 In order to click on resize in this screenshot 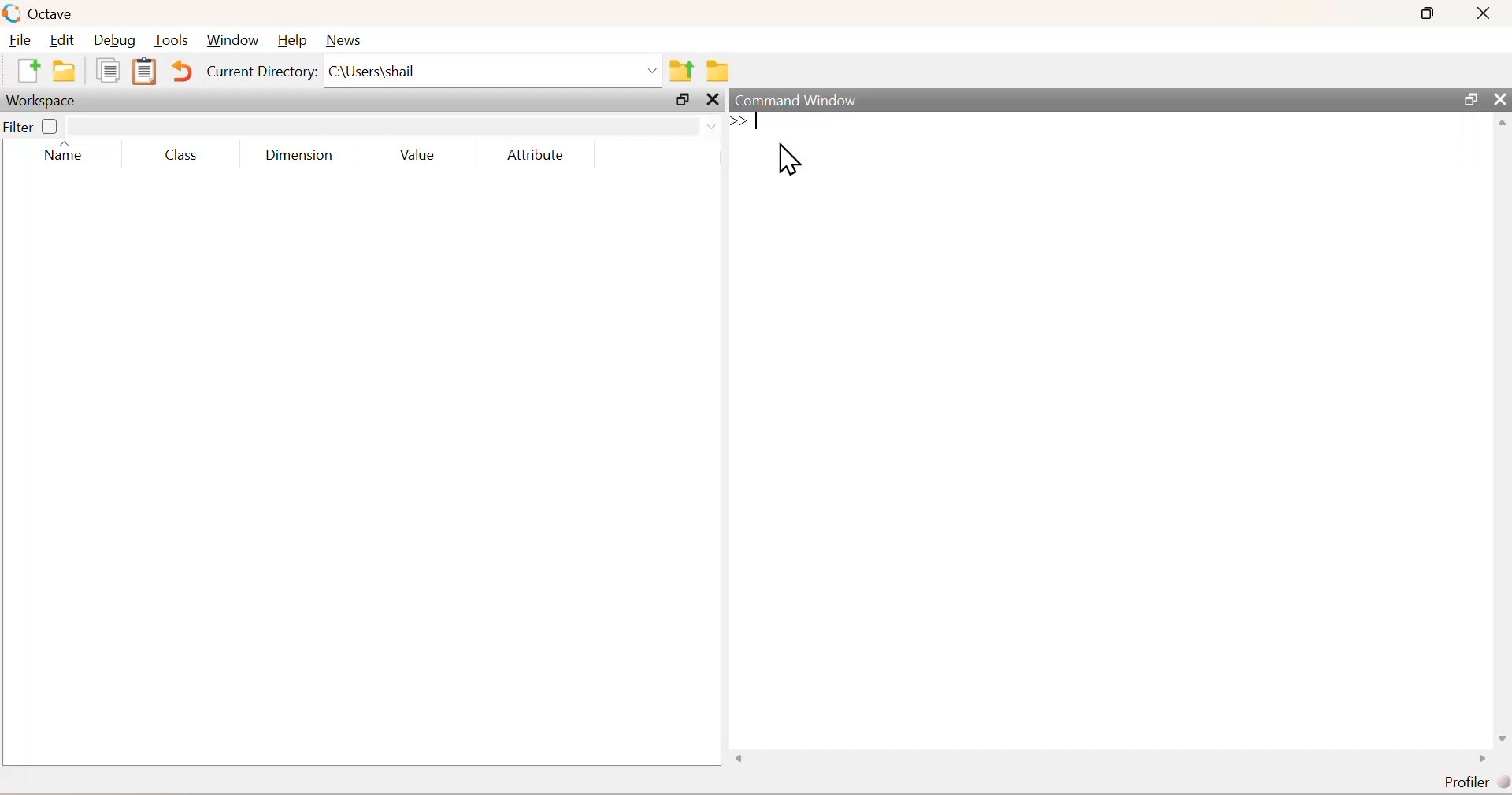, I will do `click(1469, 99)`.